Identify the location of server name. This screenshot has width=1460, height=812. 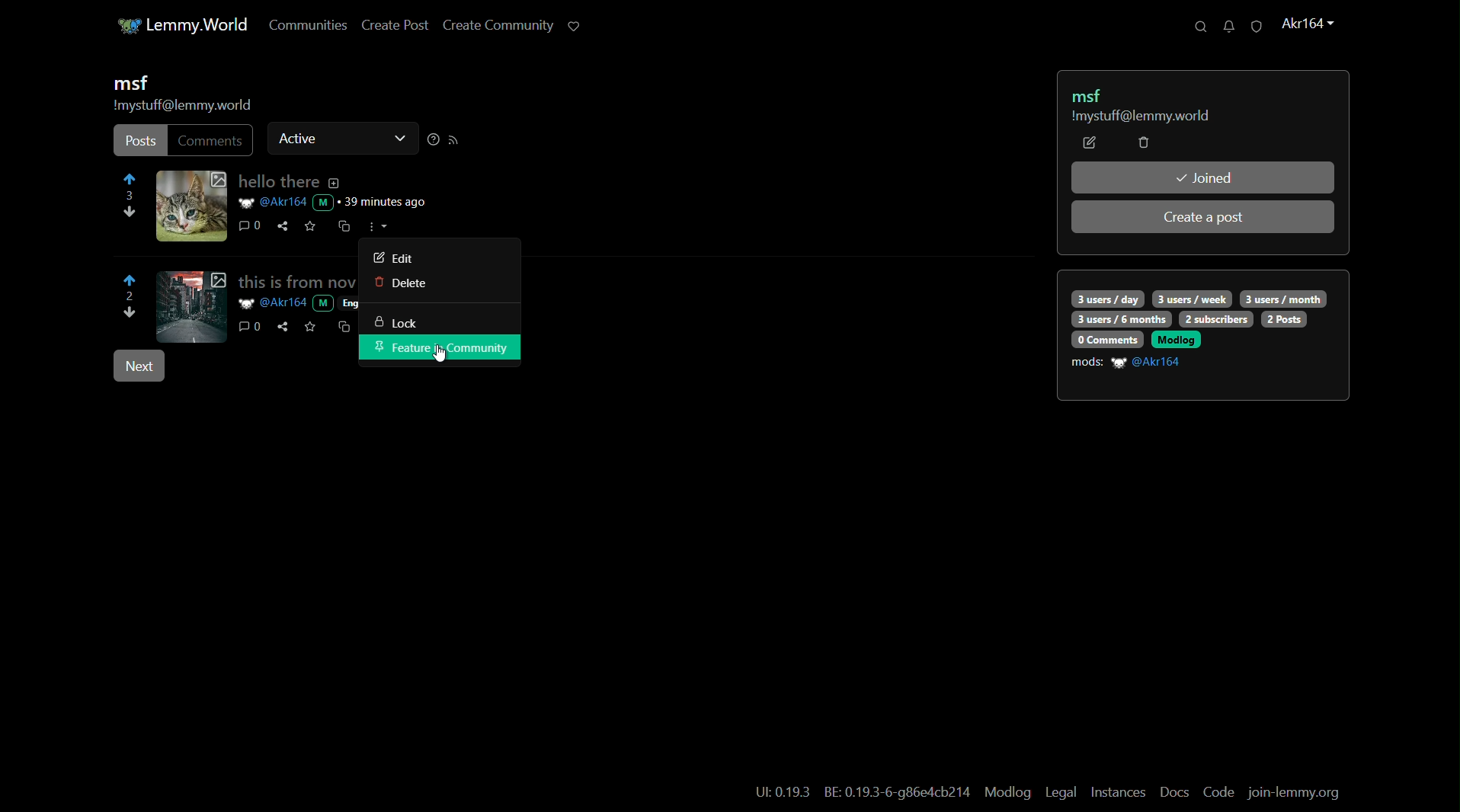
(1139, 117).